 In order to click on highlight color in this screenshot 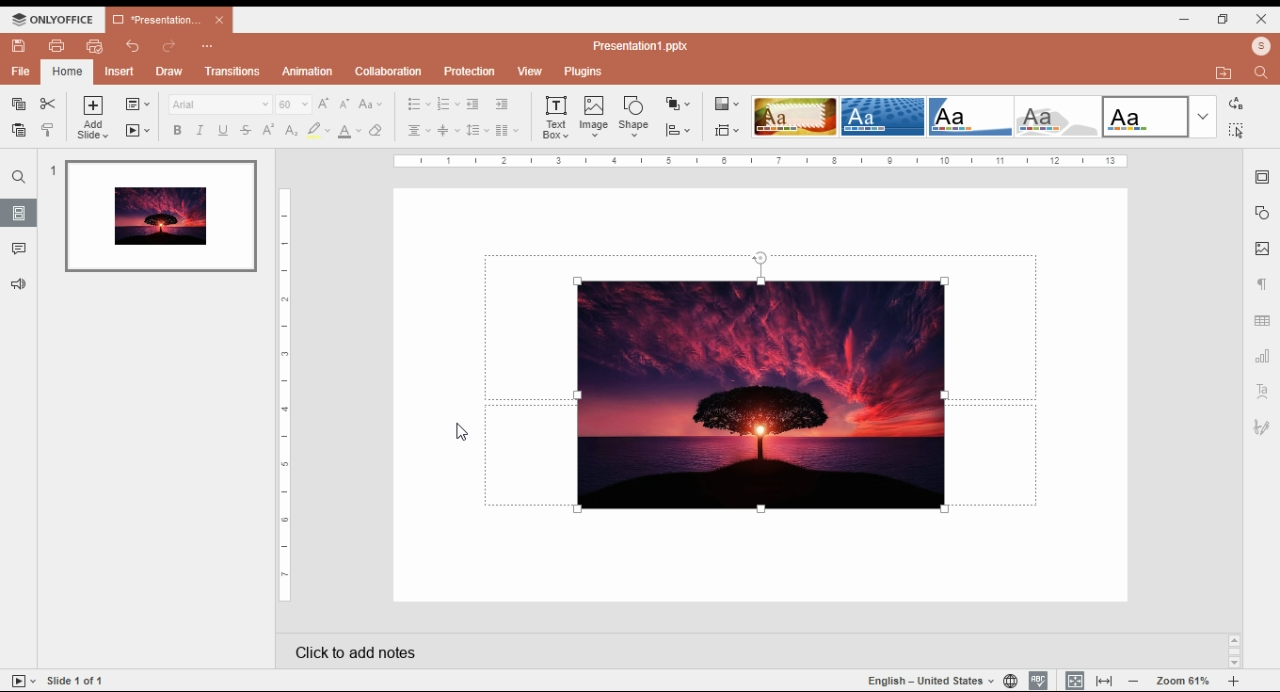, I will do `click(317, 130)`.